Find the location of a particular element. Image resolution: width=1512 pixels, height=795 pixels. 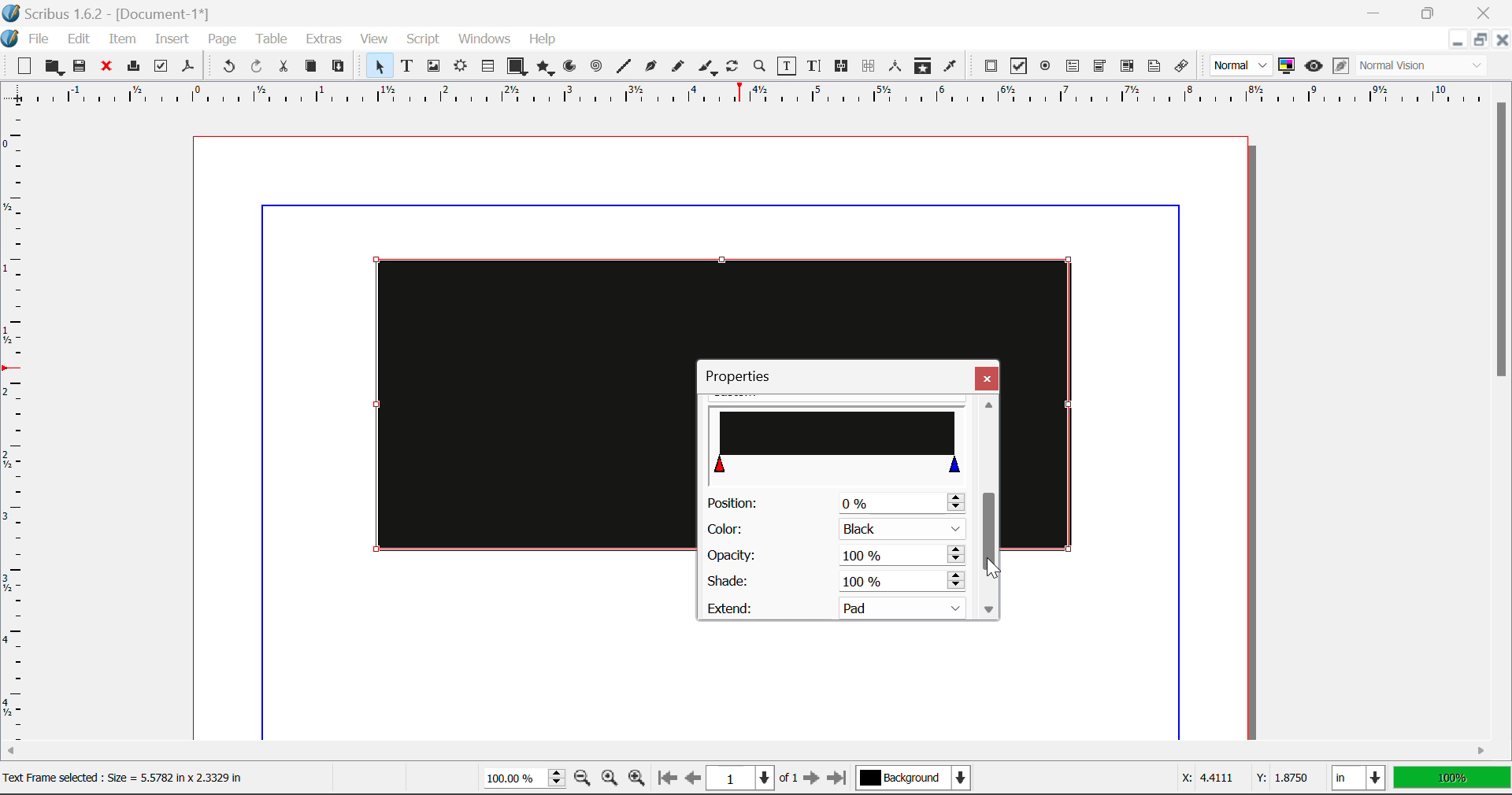

Preflight Verifier is located at coordinates (161, 68).